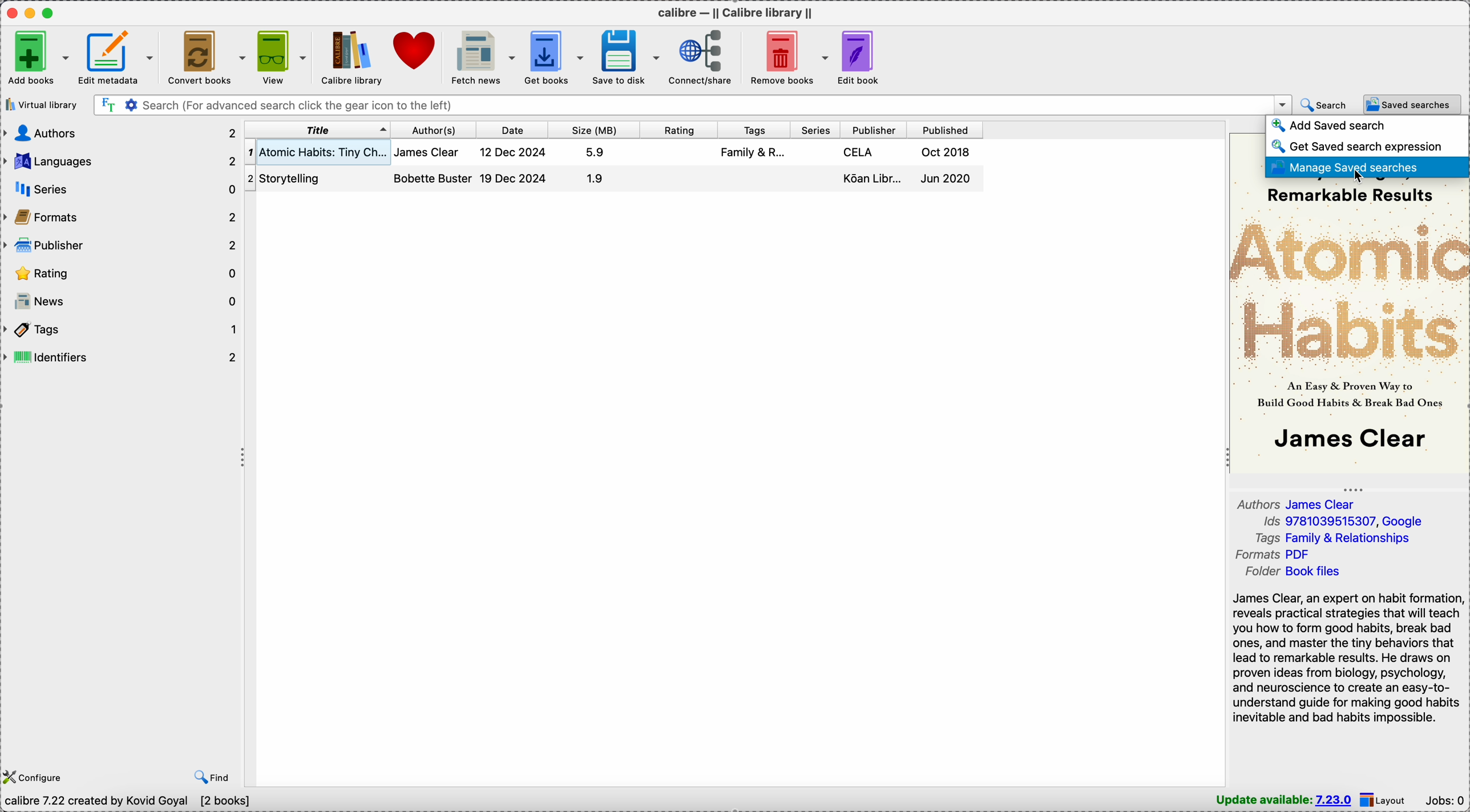 The height and width of the screenshot is (812, 1470). Describe the element at coordinates (786, 56) in the screenshot. I see `remove books` at that location.